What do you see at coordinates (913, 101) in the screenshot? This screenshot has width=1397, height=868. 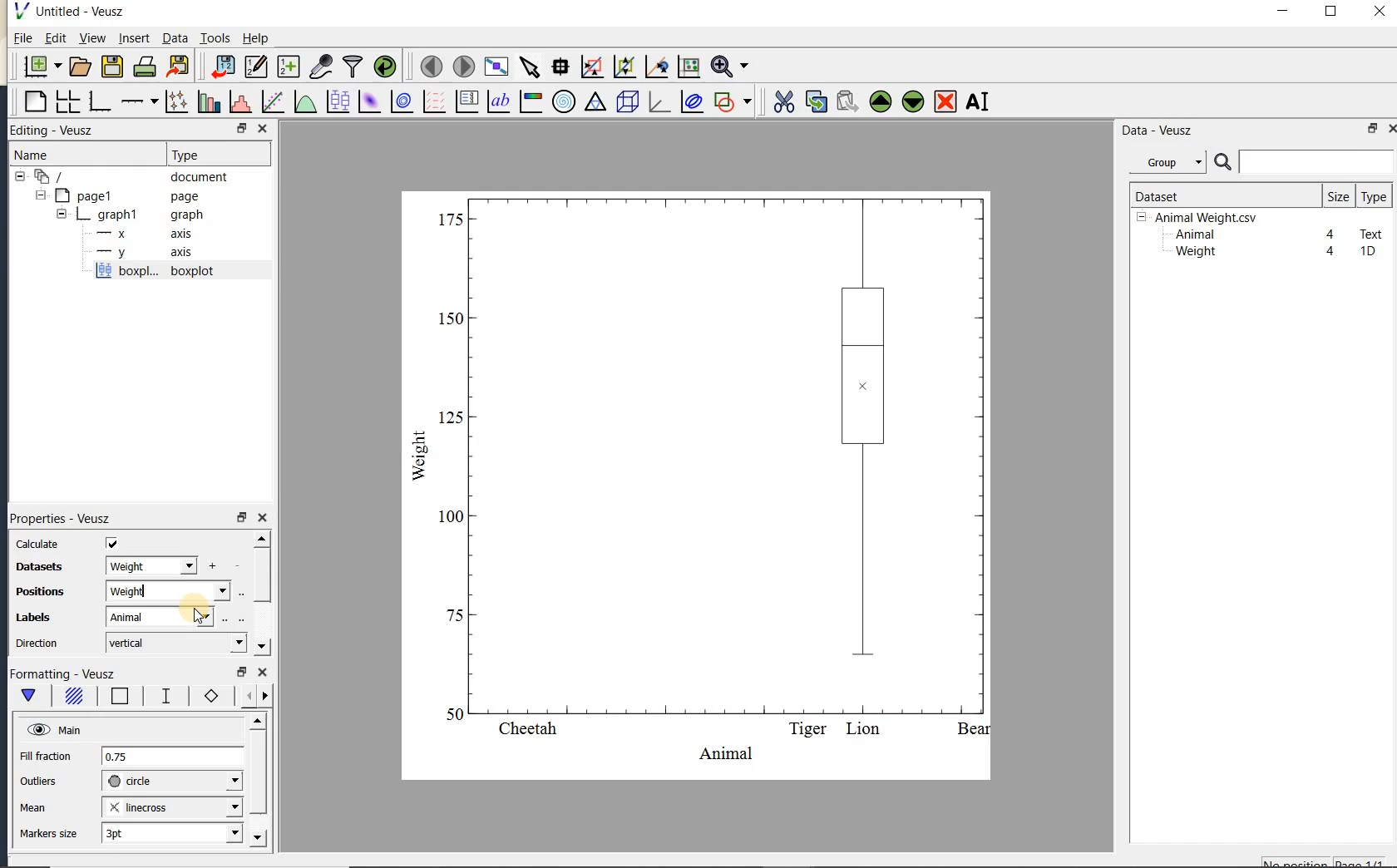 I see `move the selected widget down` at bounding box center [913, 101].